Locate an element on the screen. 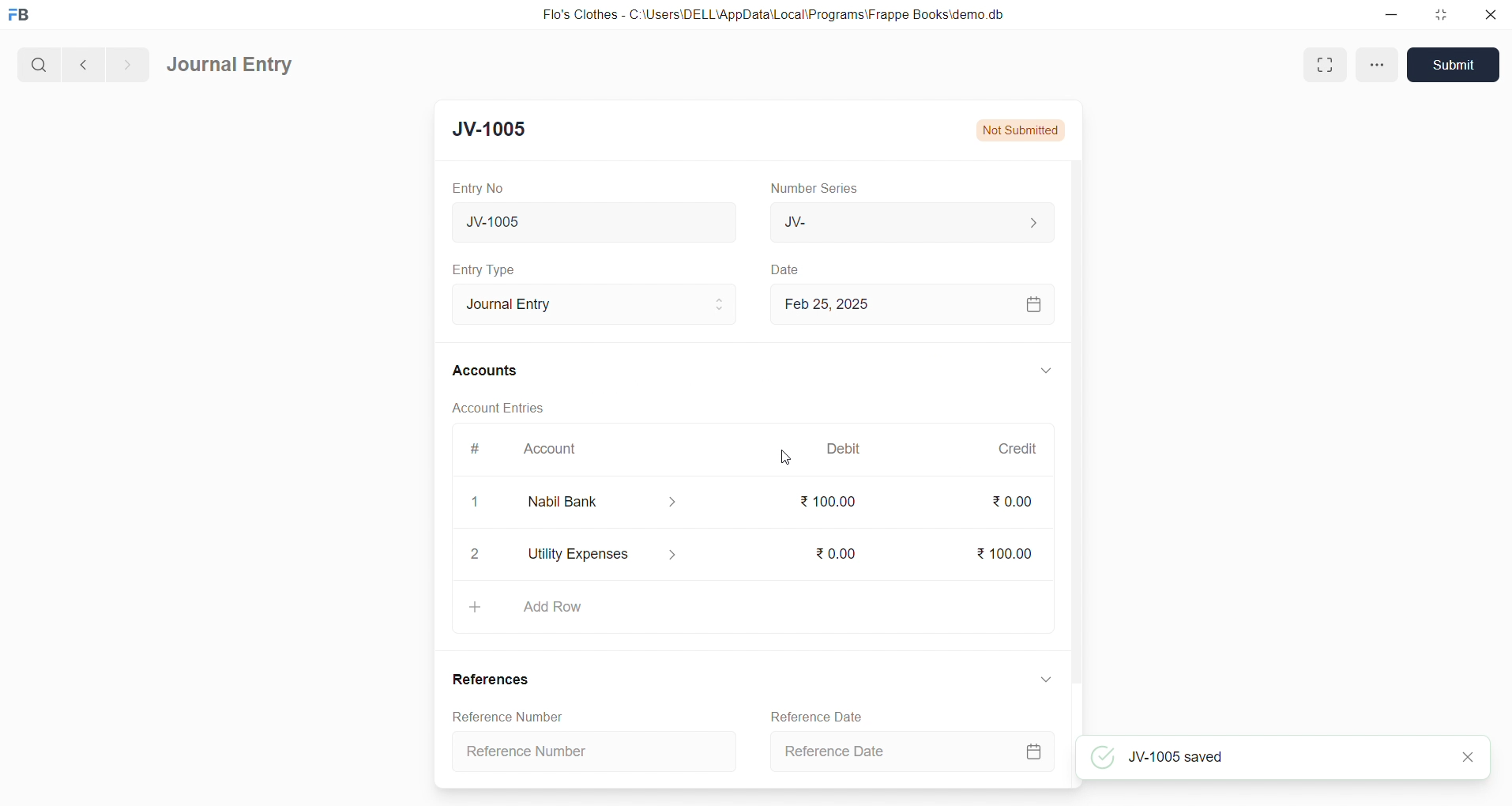  References is located at coordinates (491, 680).